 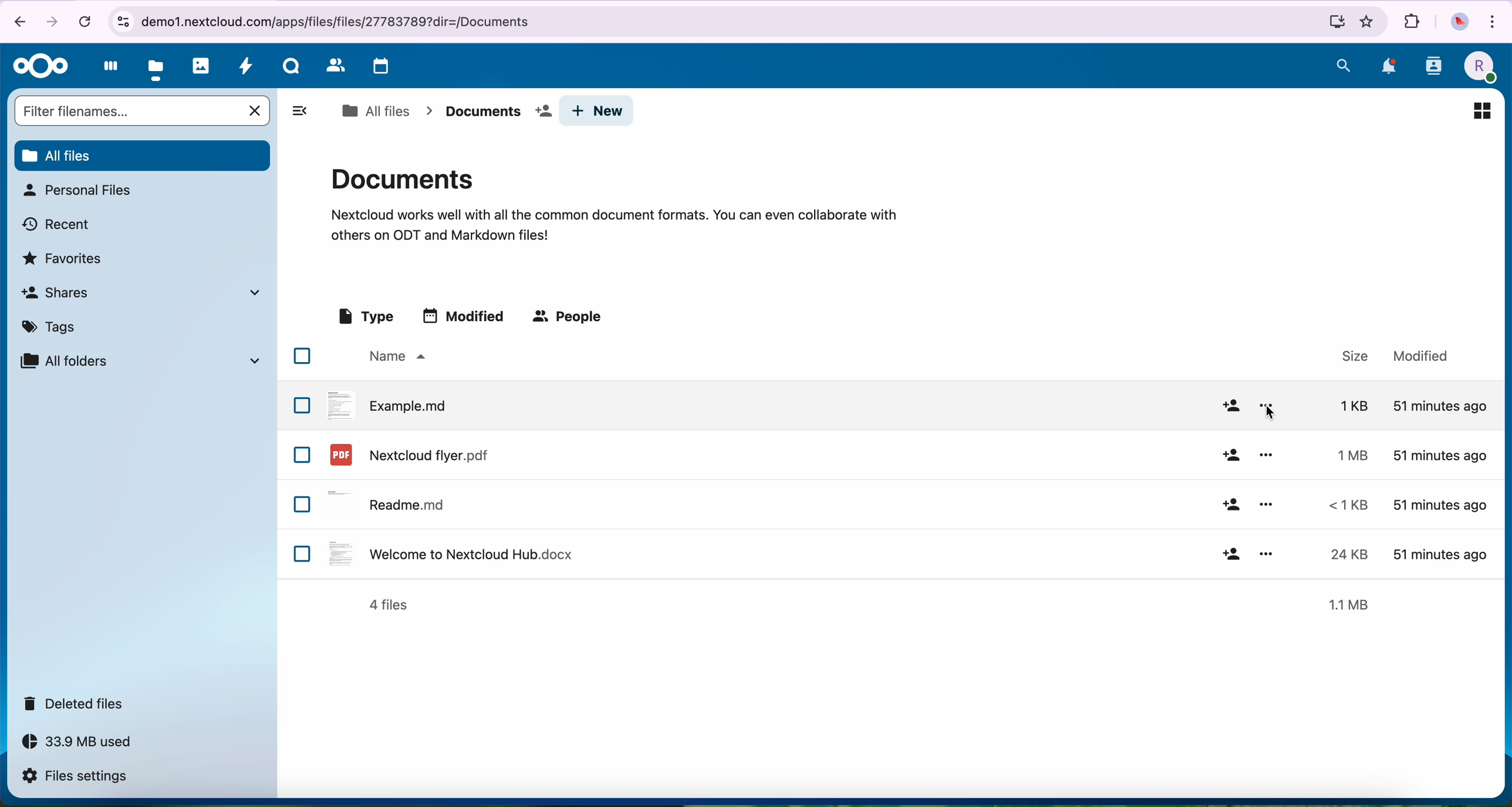 I want to click on size, so click(x=1341, y=504).